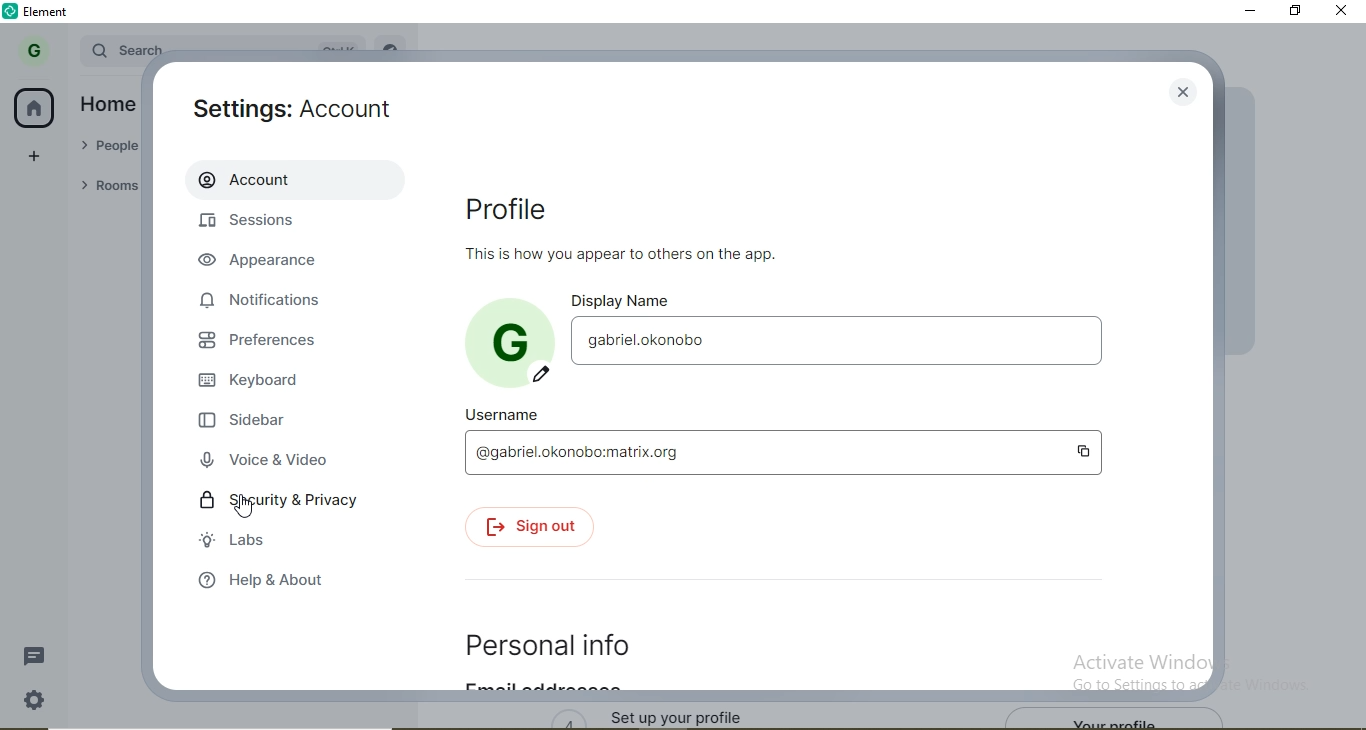 The width and height of the screenshot is (1366, 730). I want to click on keyboard, so click(261, 381).